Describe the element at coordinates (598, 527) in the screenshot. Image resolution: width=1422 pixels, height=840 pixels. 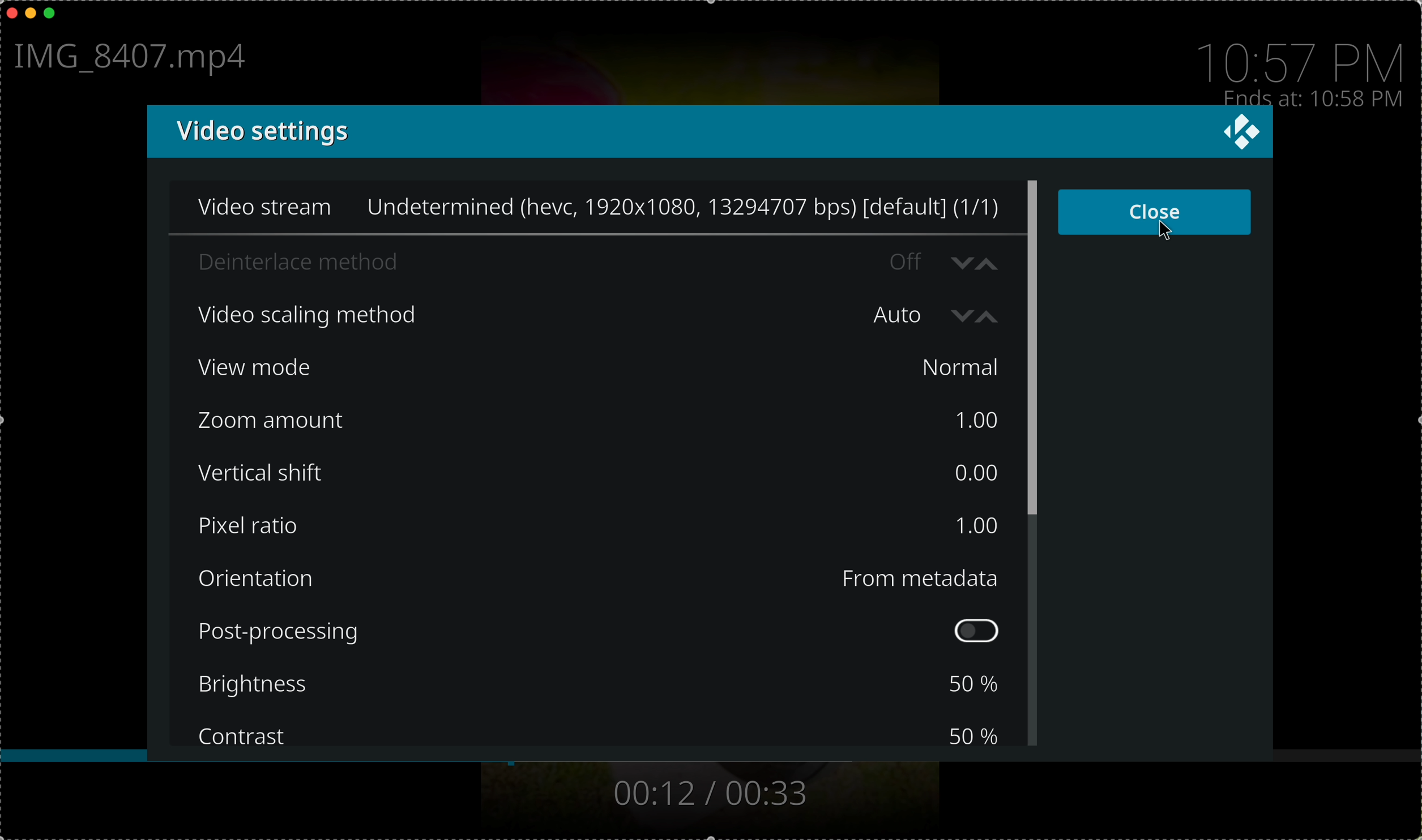
I see `pixel ratio 1.00` at that location.